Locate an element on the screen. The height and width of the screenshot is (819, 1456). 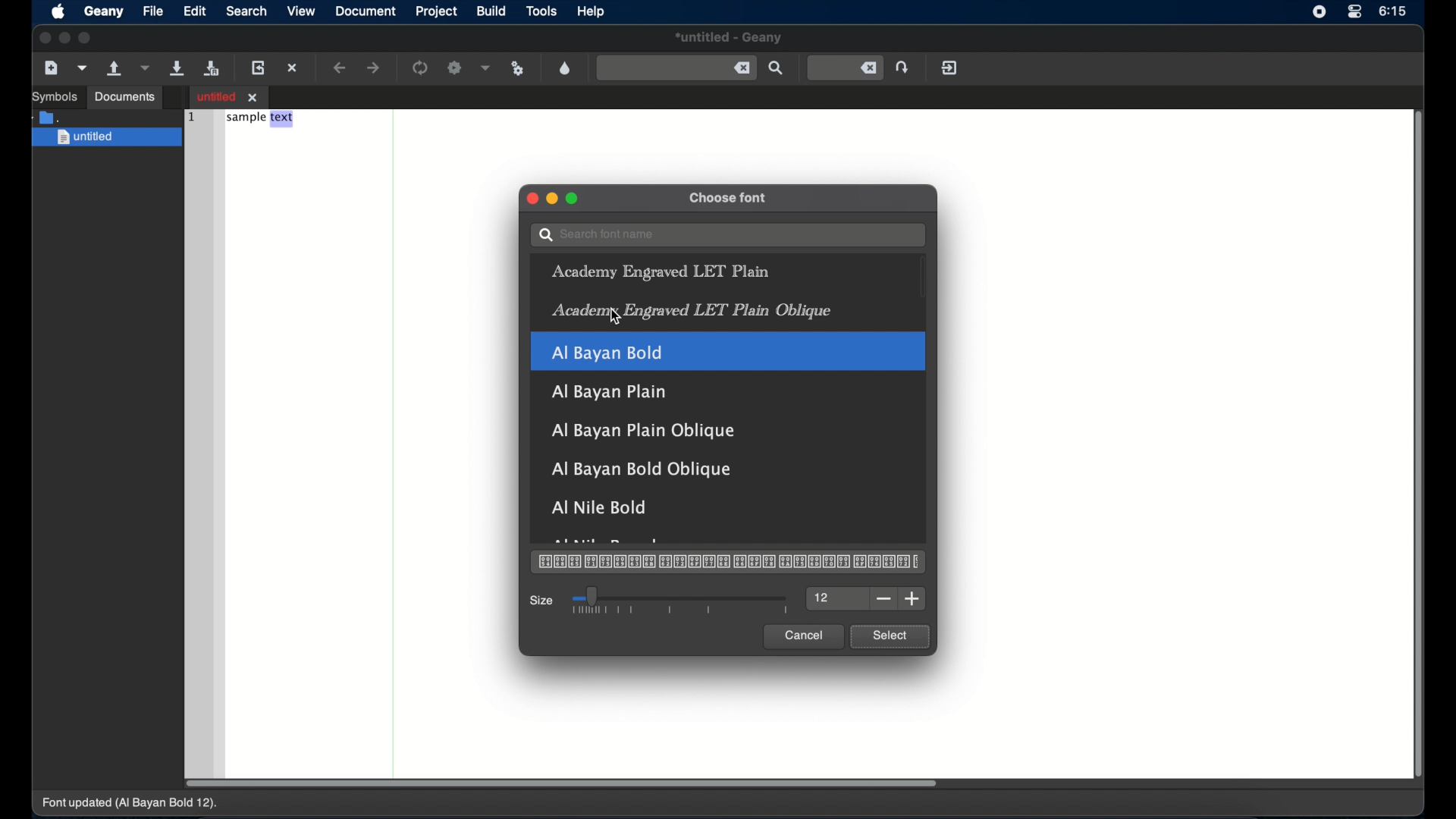
minimize is located at coordinates (65, 38).